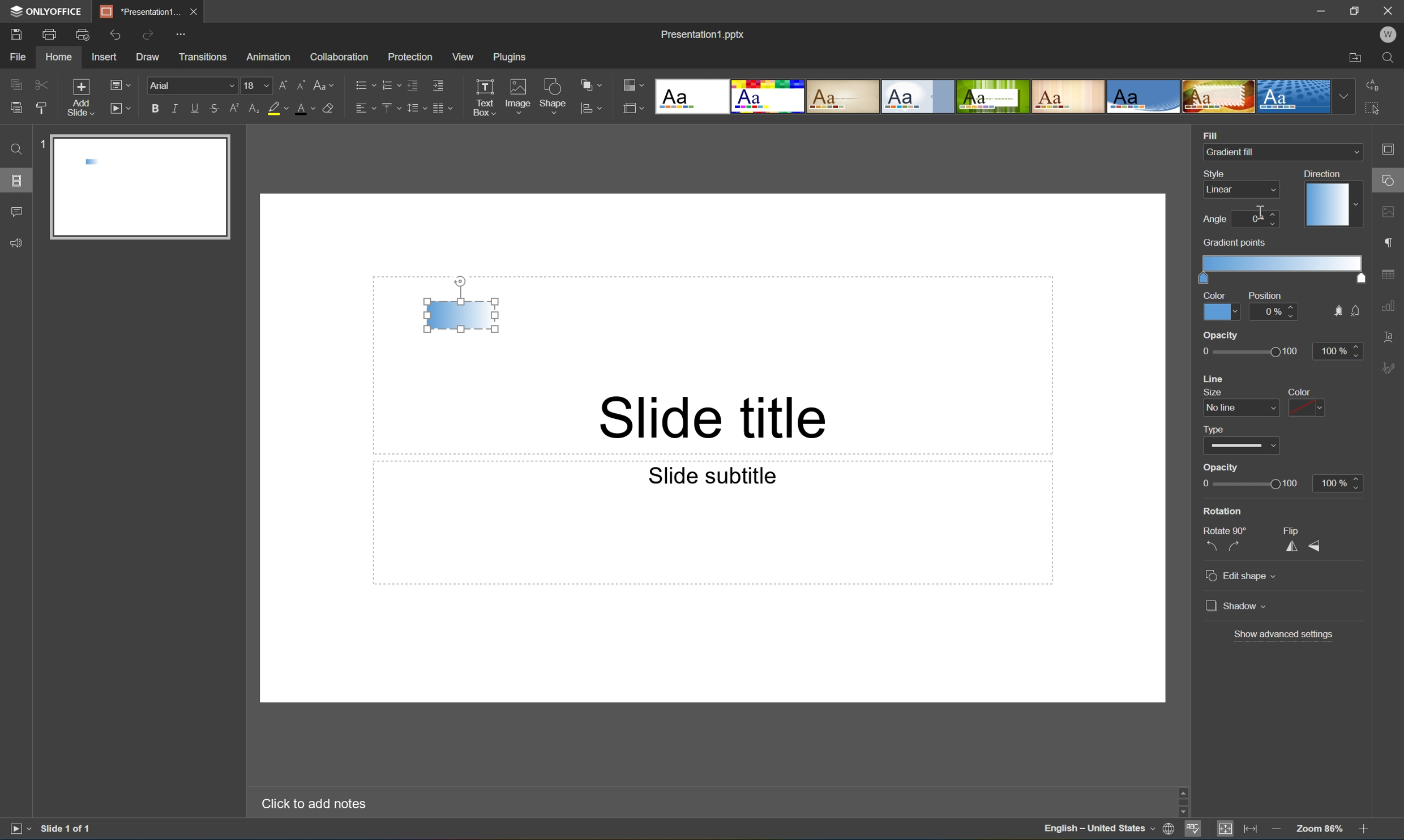 The height and width of the screenshot is (840, 1404). Describe the element at coordinates (1363, 786) in the screenshot. I see `Scroll Up` at that location.